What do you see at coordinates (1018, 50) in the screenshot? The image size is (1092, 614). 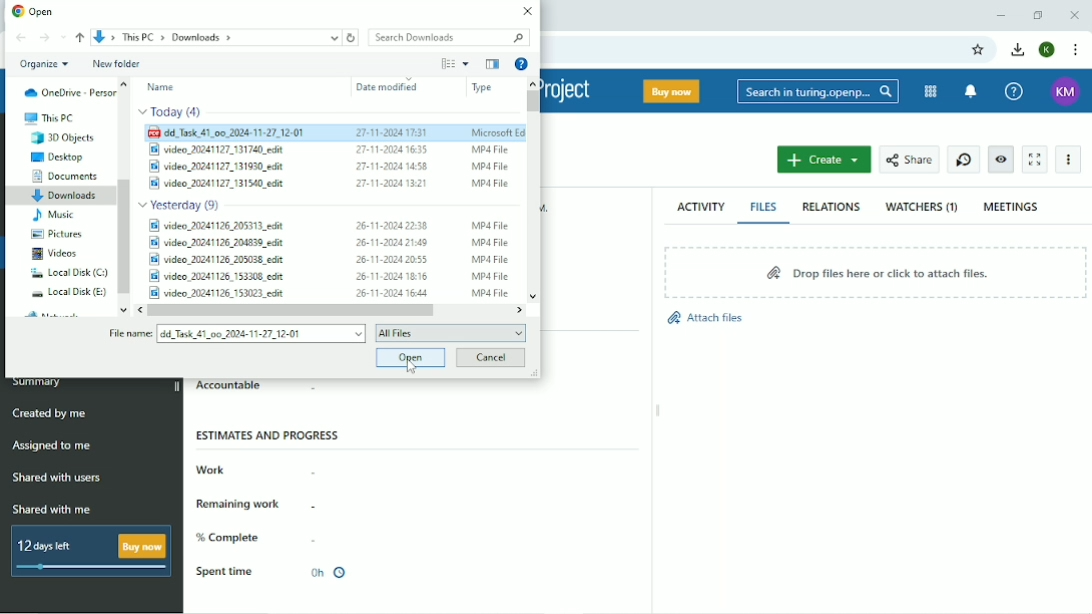 I see `Download` at bounding box center [1018, 50].